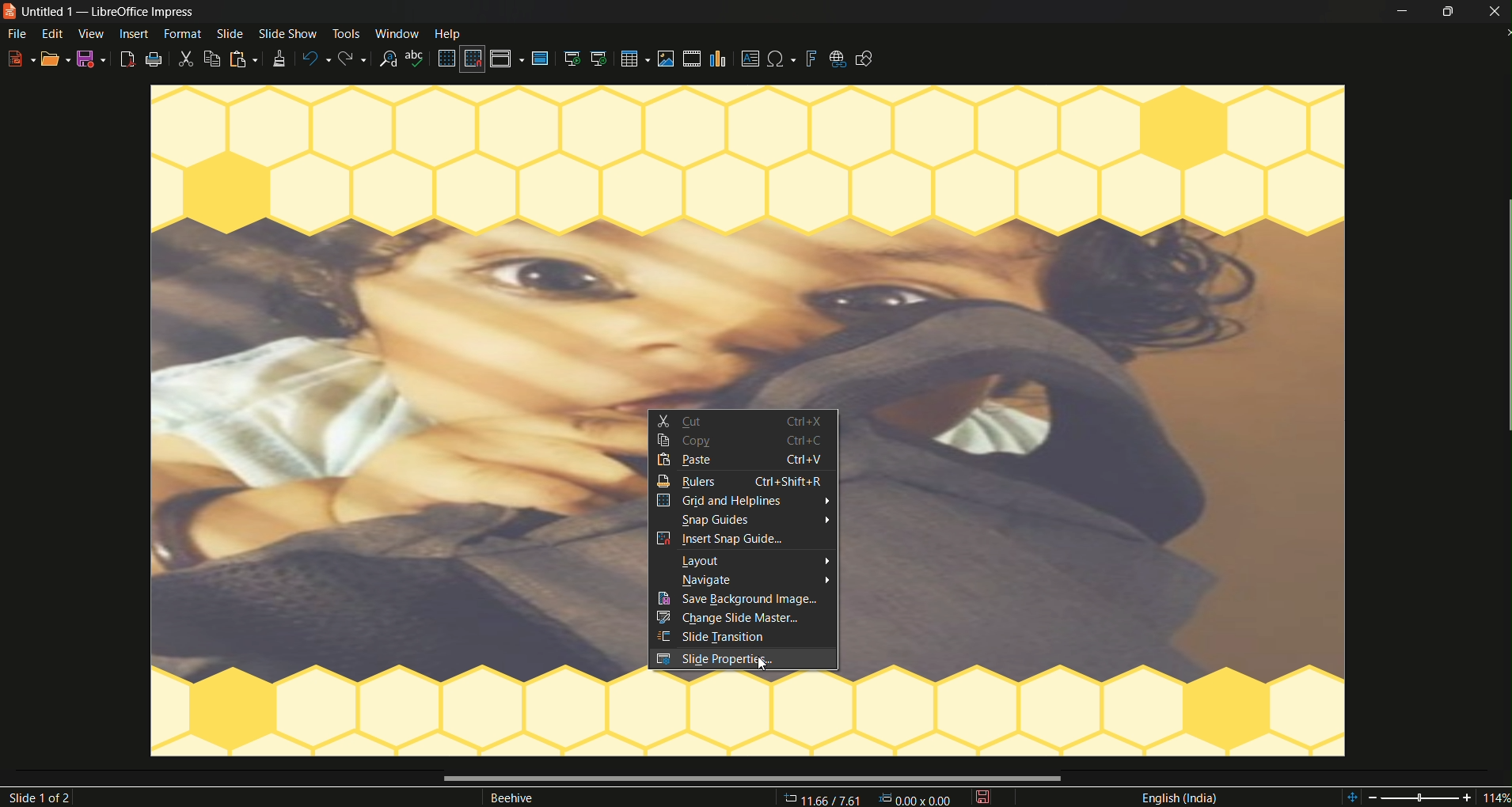 The height and width of the screenshot is (807, 1512). Describe the element at coordinates (826, 582) in the screenshot. I see `arrow` at that location.